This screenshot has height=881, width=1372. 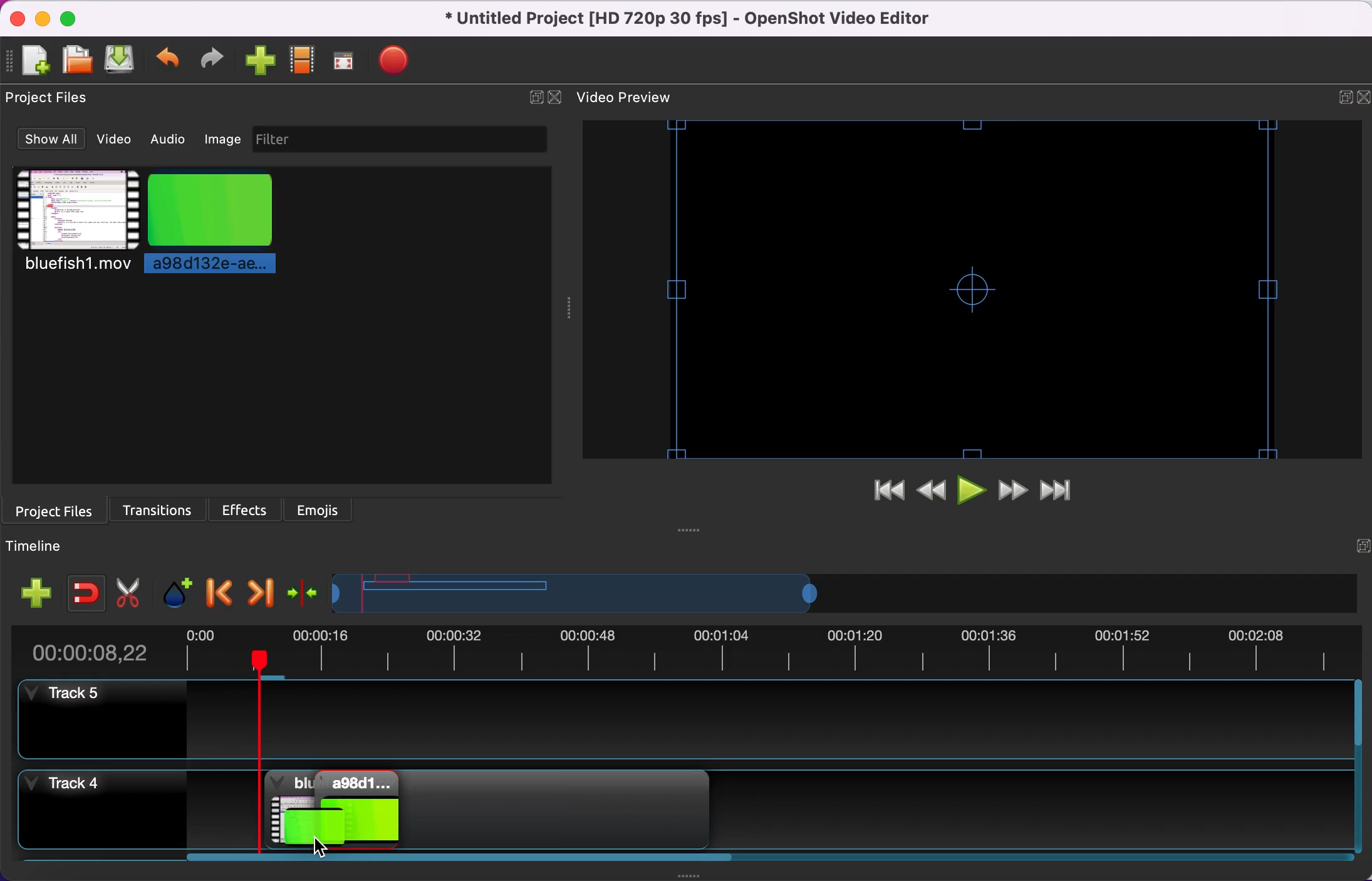 What do you see at coordinates (888, 492) in the screenshot?
I see `jump to start` at bounding box center [888, 492].